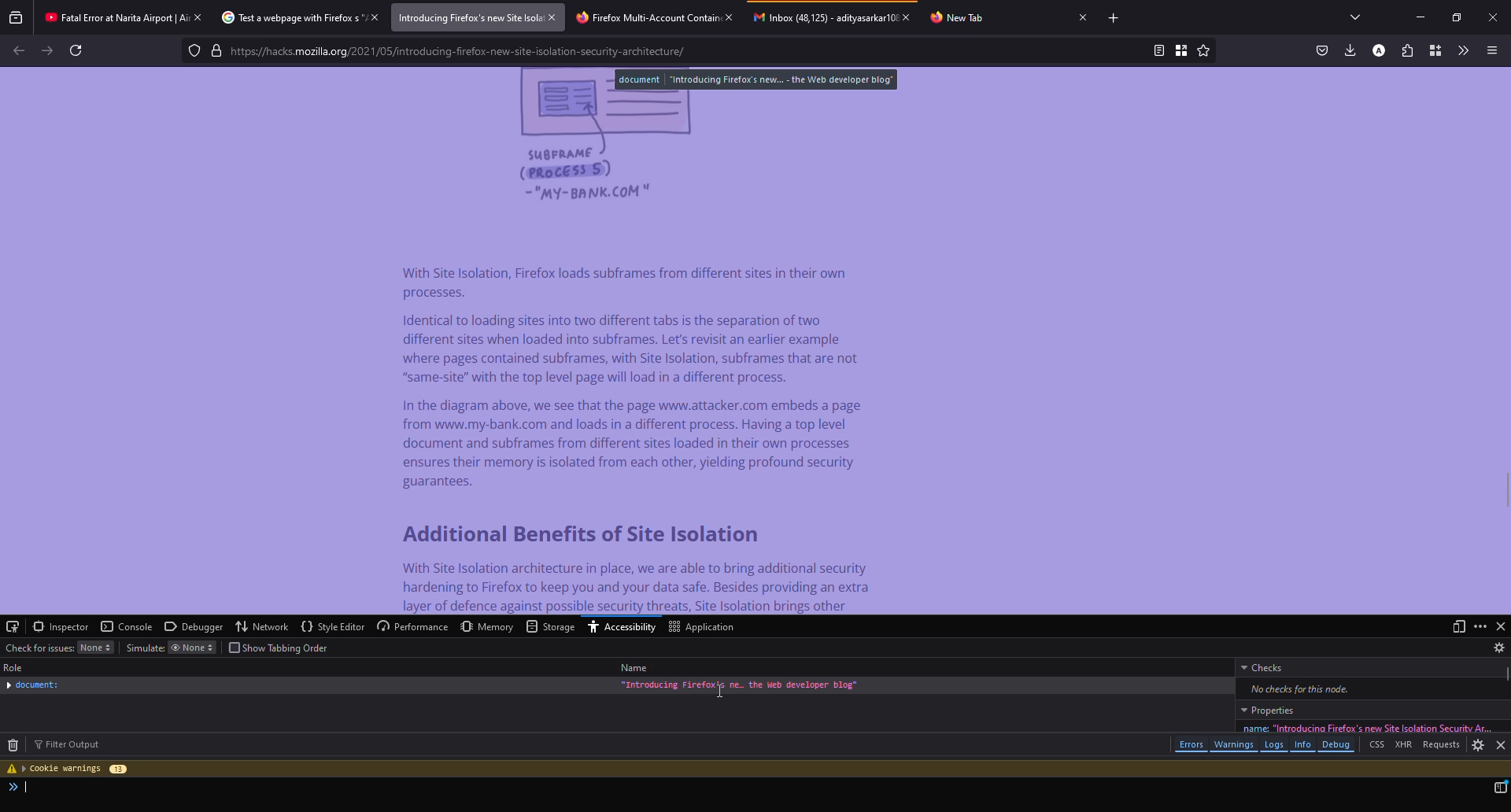 The image size is (1511, 812). Describe the element at coordinates (1491, 50) in the screenshot. I see `menu` at that location.